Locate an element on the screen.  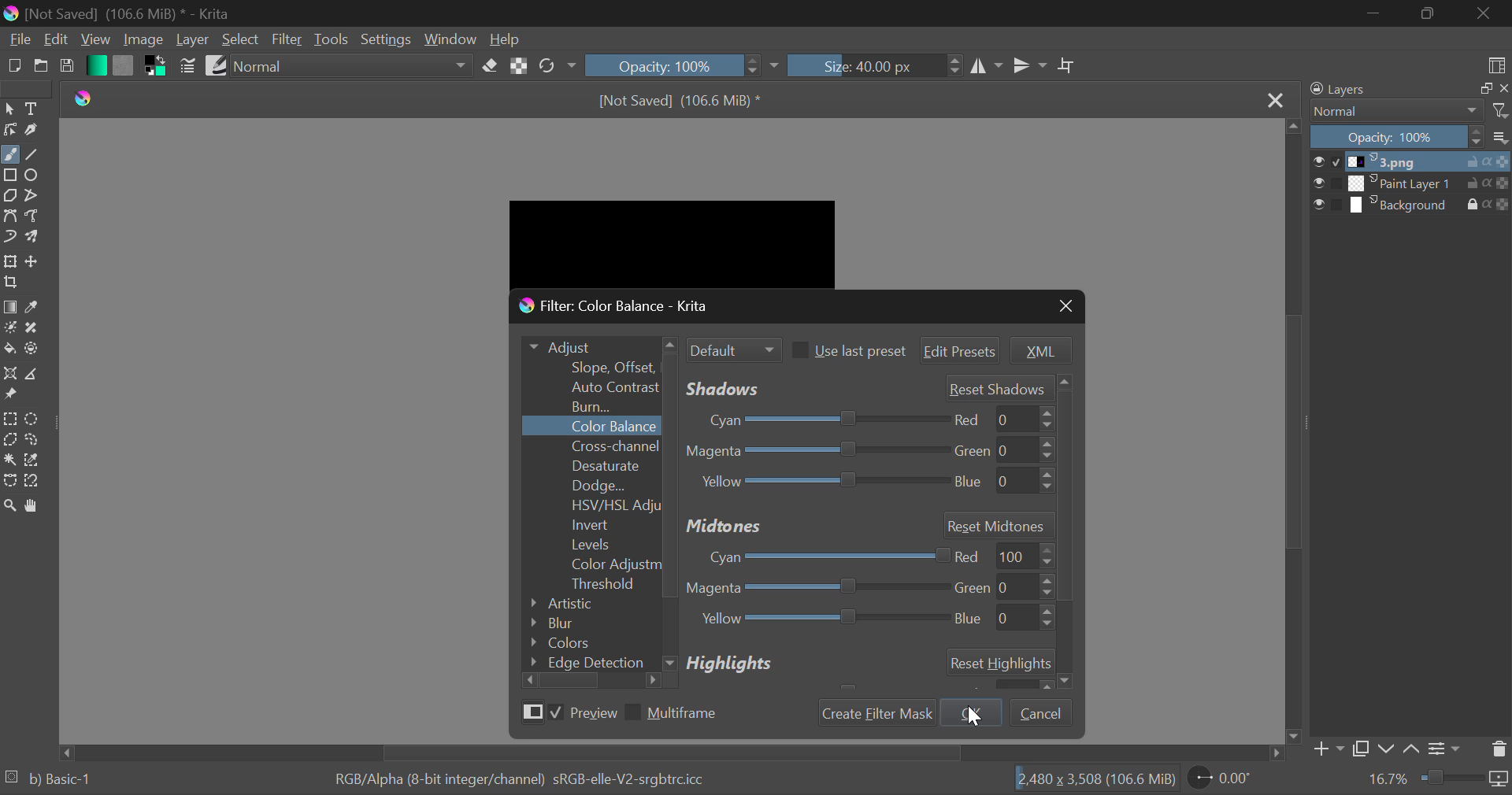
Scroll Bar is located at coordinates (661, 752).